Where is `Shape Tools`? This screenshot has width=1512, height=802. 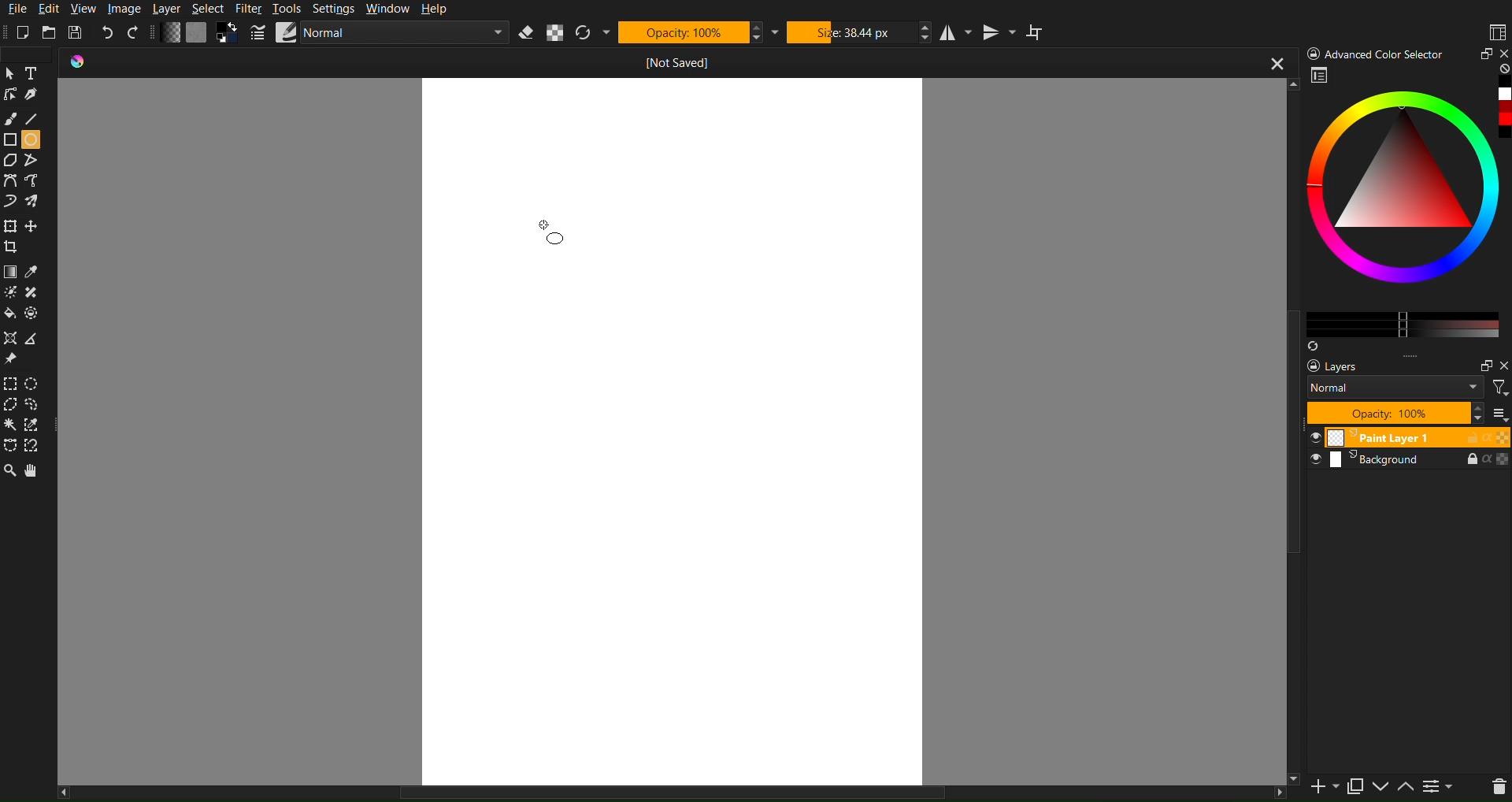
Shape Tools is located at coordinates (9, 142).